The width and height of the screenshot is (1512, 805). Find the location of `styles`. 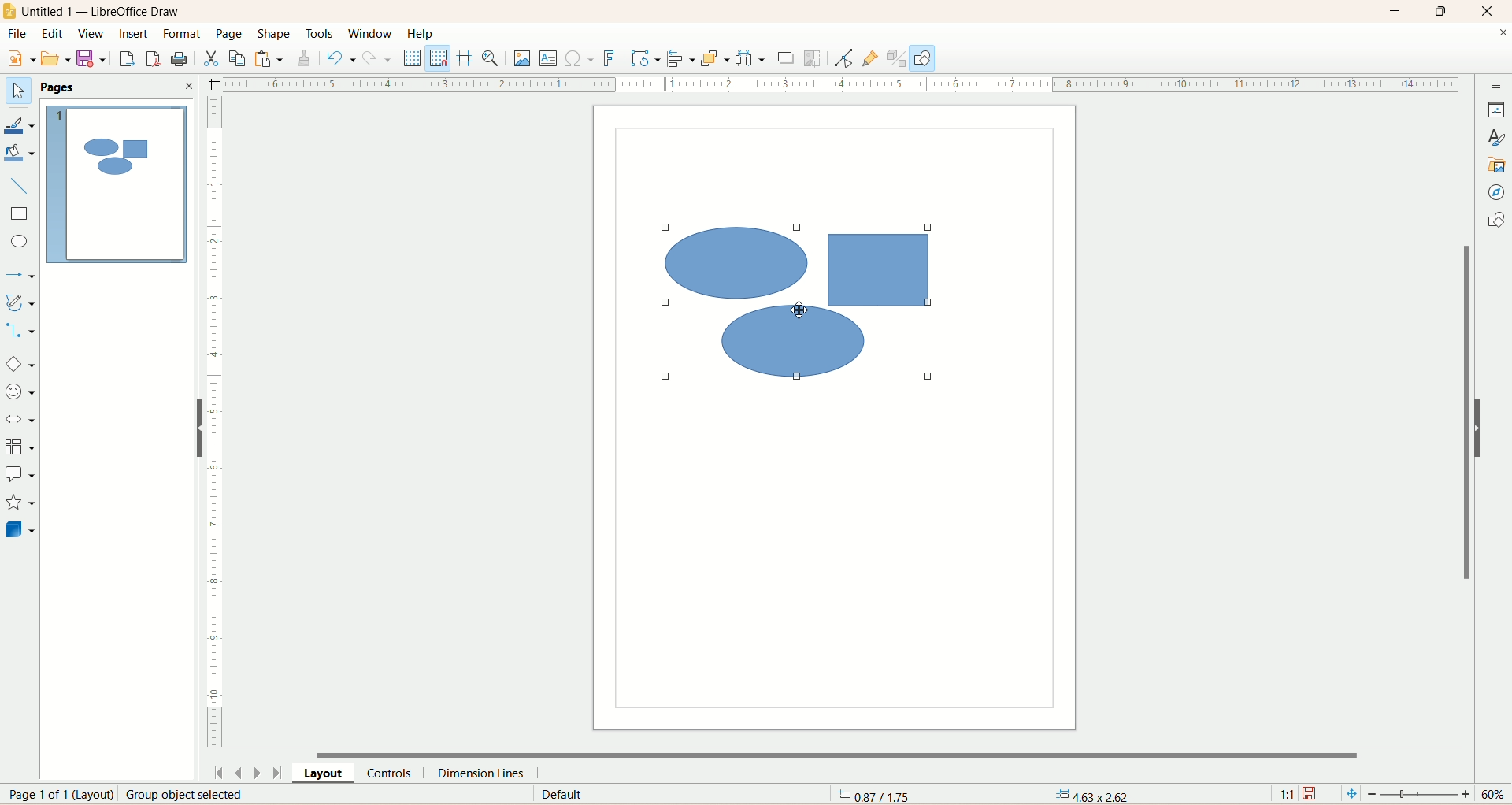

styles is located at coordinates (1498, 137).